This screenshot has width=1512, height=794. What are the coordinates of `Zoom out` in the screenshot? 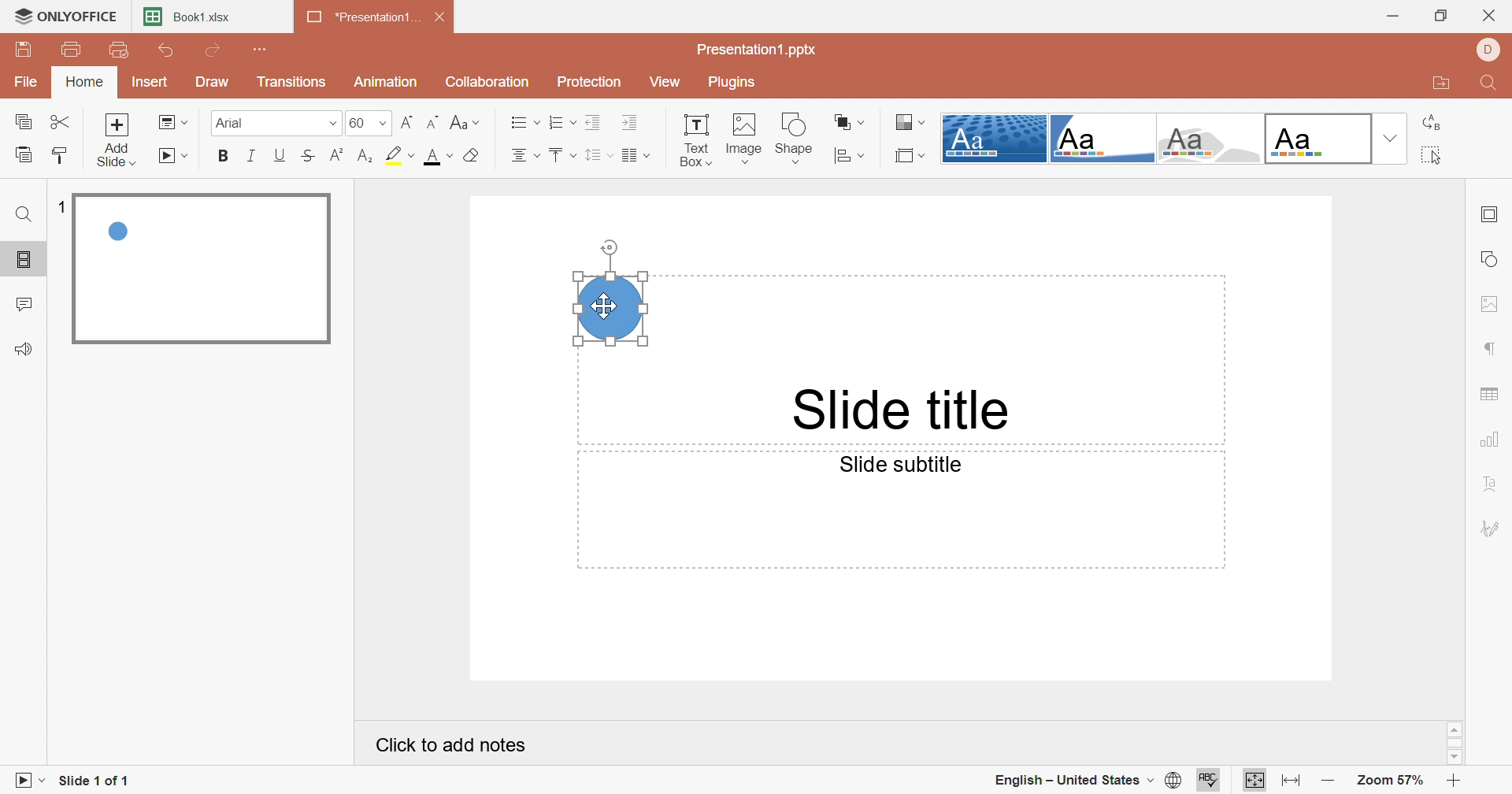 It's located at (1330, 784).